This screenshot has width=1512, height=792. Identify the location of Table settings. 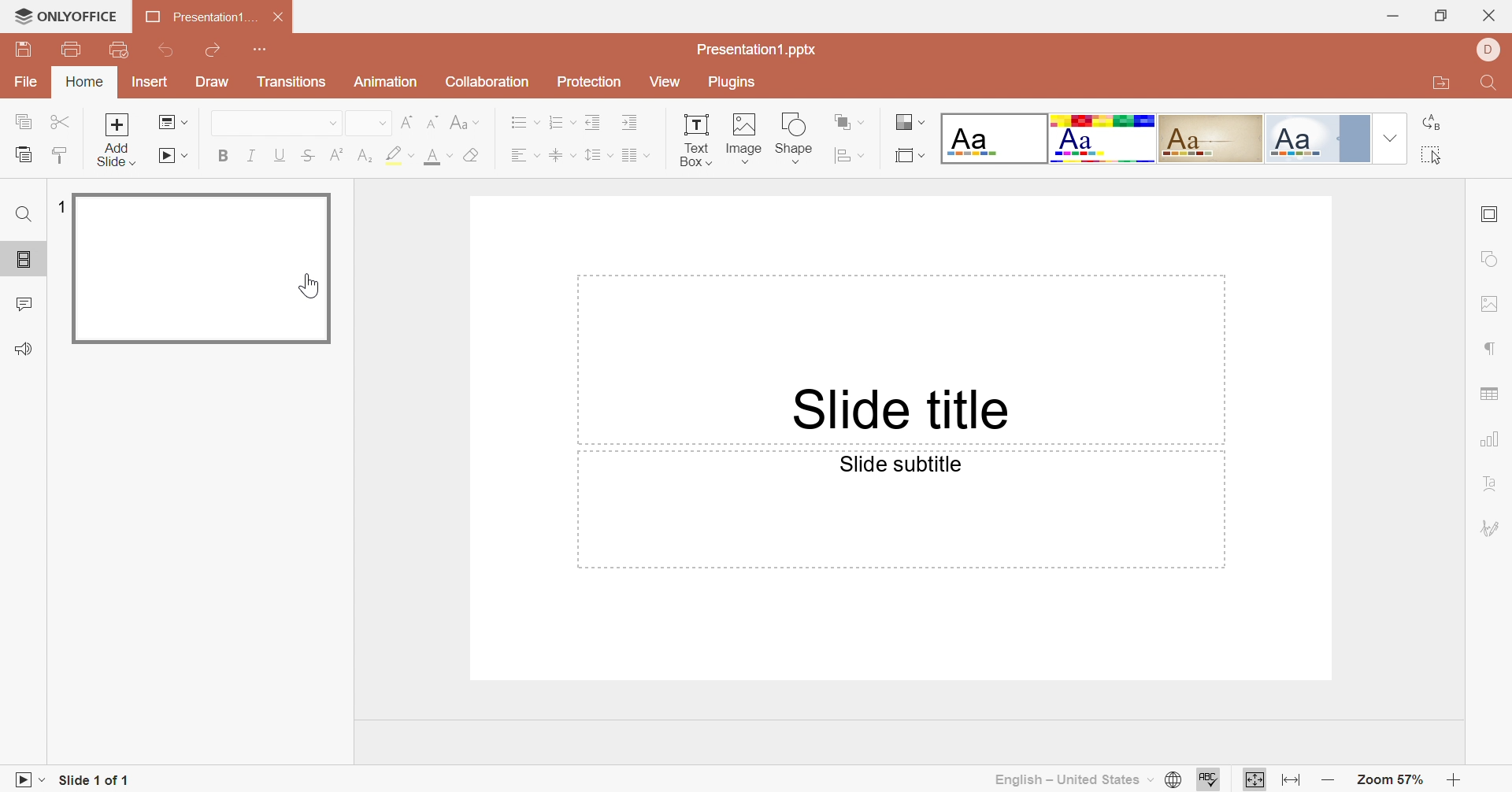
(1489, 389).